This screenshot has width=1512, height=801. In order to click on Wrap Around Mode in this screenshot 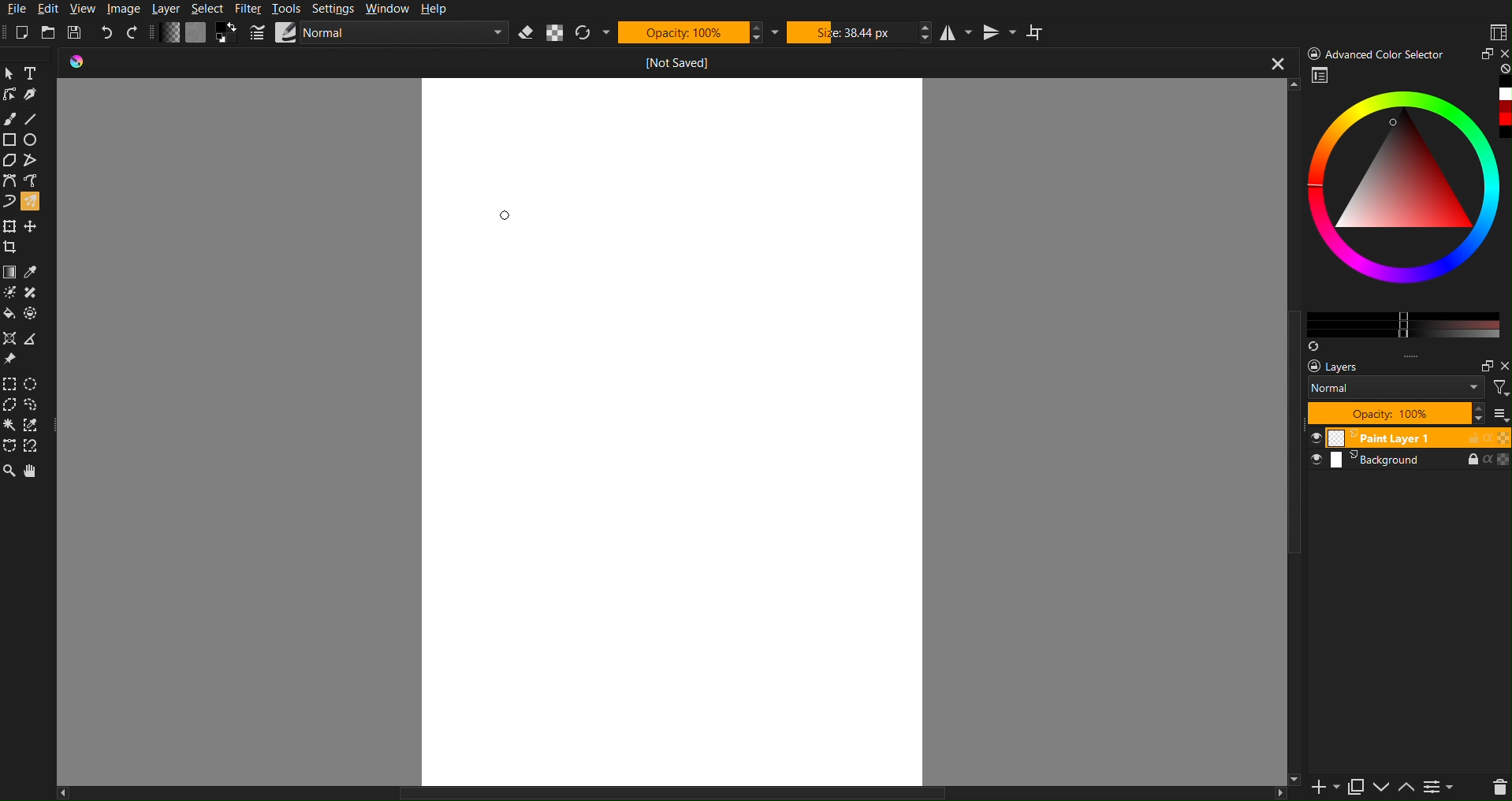, I will do `click(1037, 32)`.